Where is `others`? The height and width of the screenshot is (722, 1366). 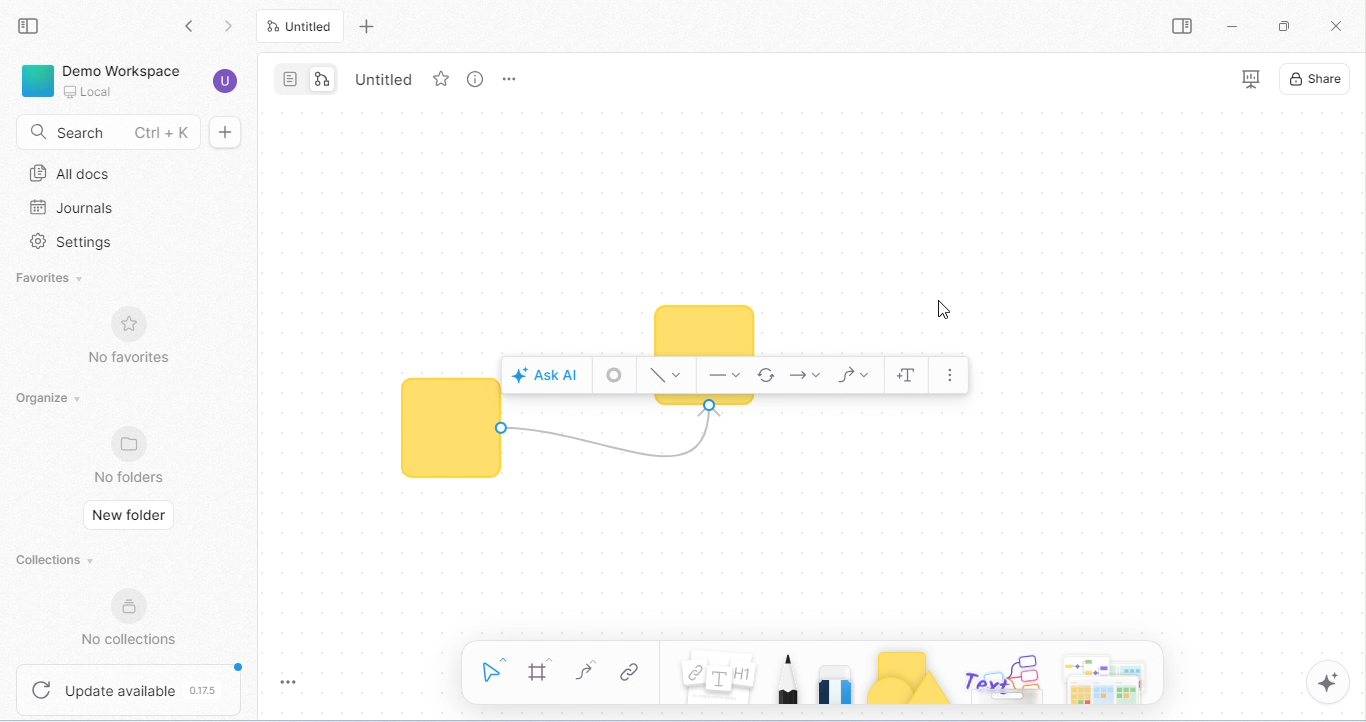
others is located at coordinates (1006, 678).